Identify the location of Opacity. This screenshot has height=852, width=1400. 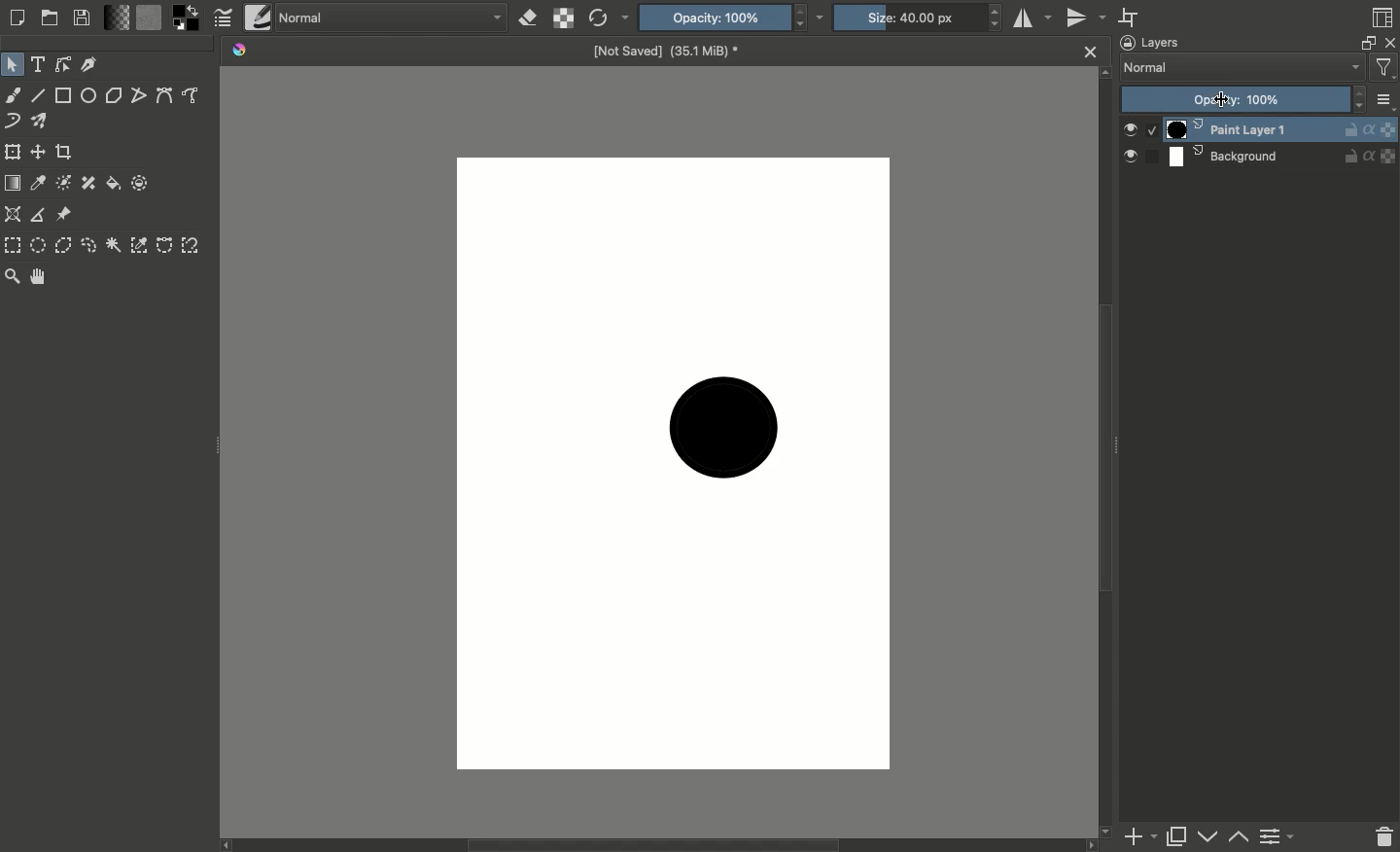
(733, 17).